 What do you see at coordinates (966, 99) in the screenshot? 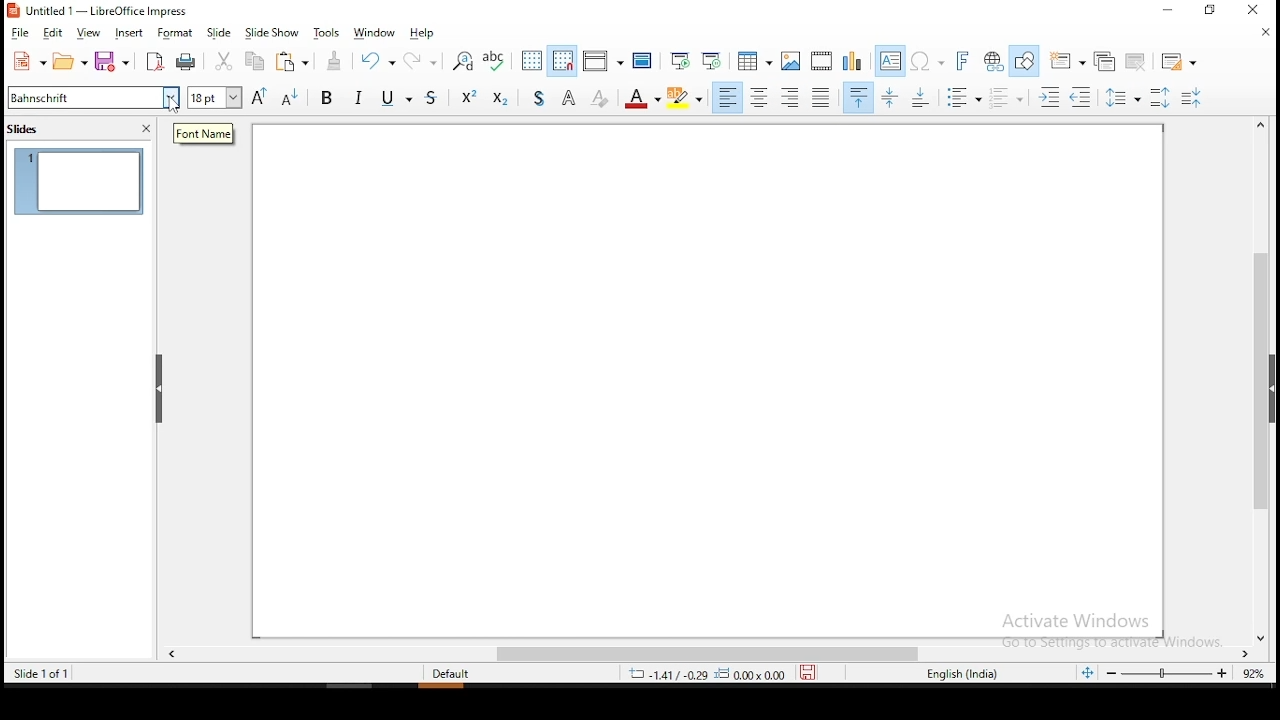
I see `toggle unordered list` at bounding box center [966, 99].